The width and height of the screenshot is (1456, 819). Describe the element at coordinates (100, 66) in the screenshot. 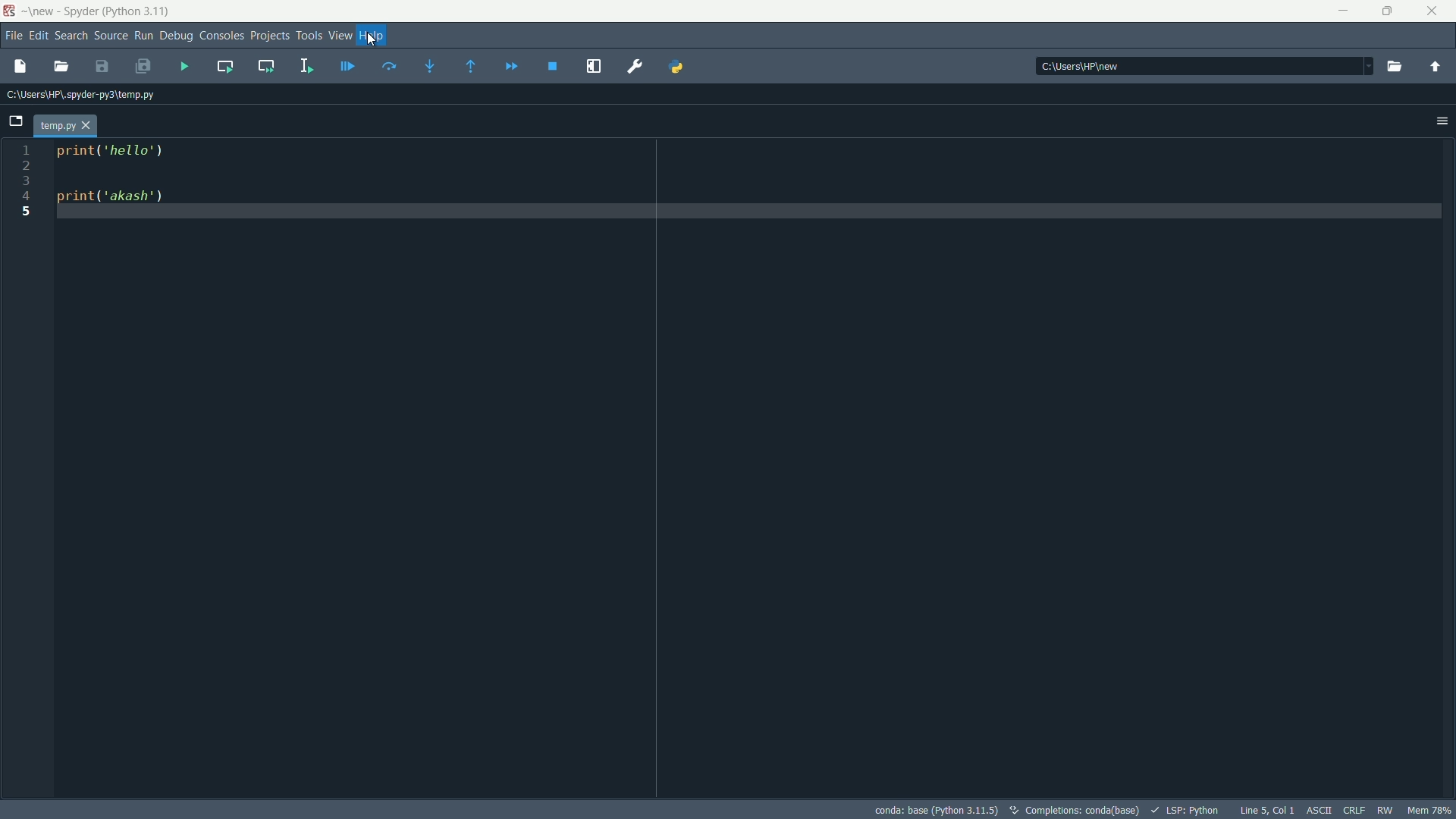

I see `save file` at that location.